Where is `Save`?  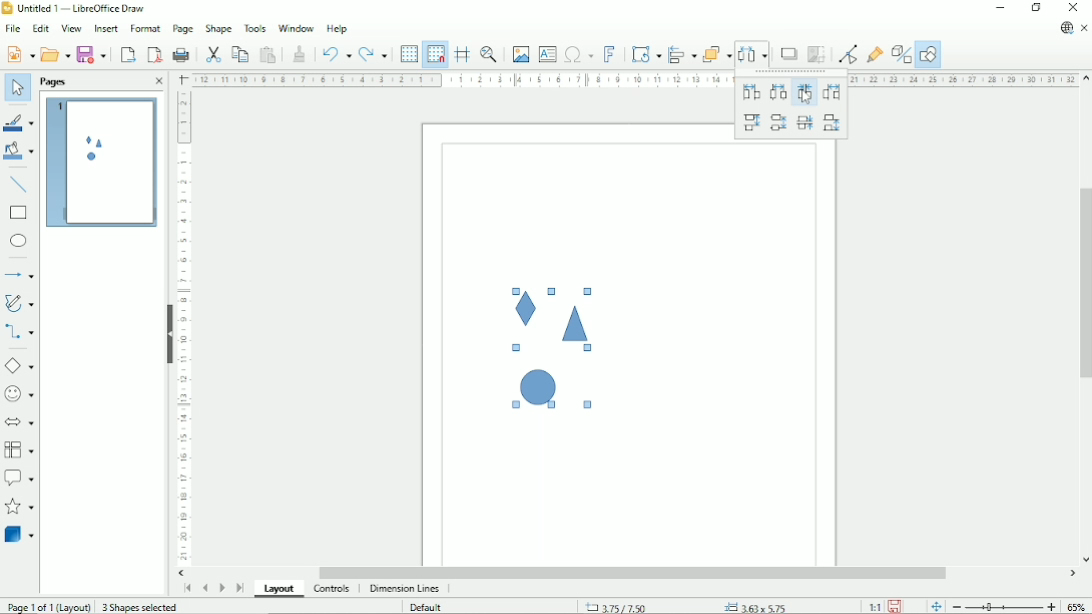
Save is located at coordinates (896, 606).